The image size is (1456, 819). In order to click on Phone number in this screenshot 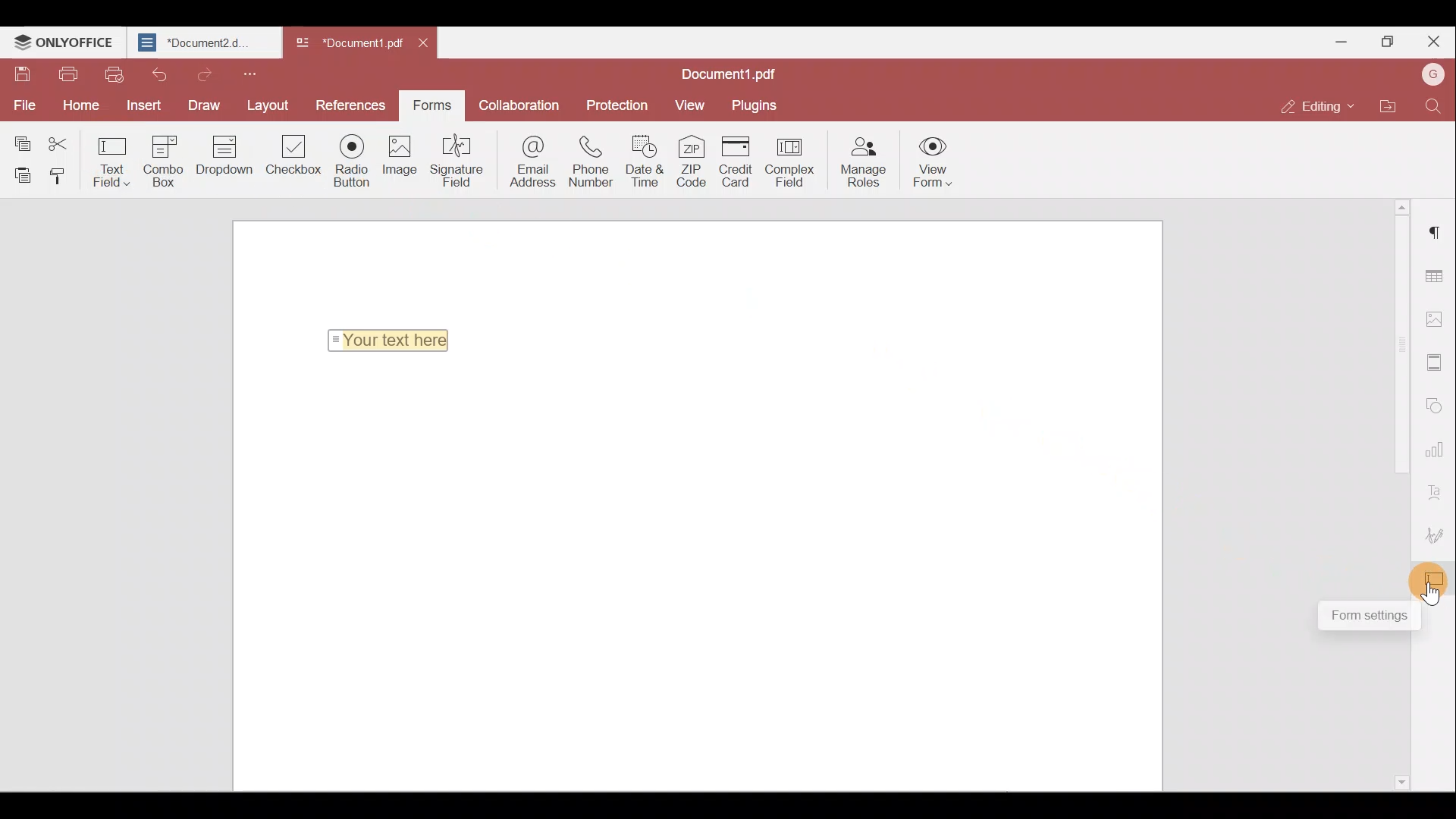, I will do `click(591, 163)`.